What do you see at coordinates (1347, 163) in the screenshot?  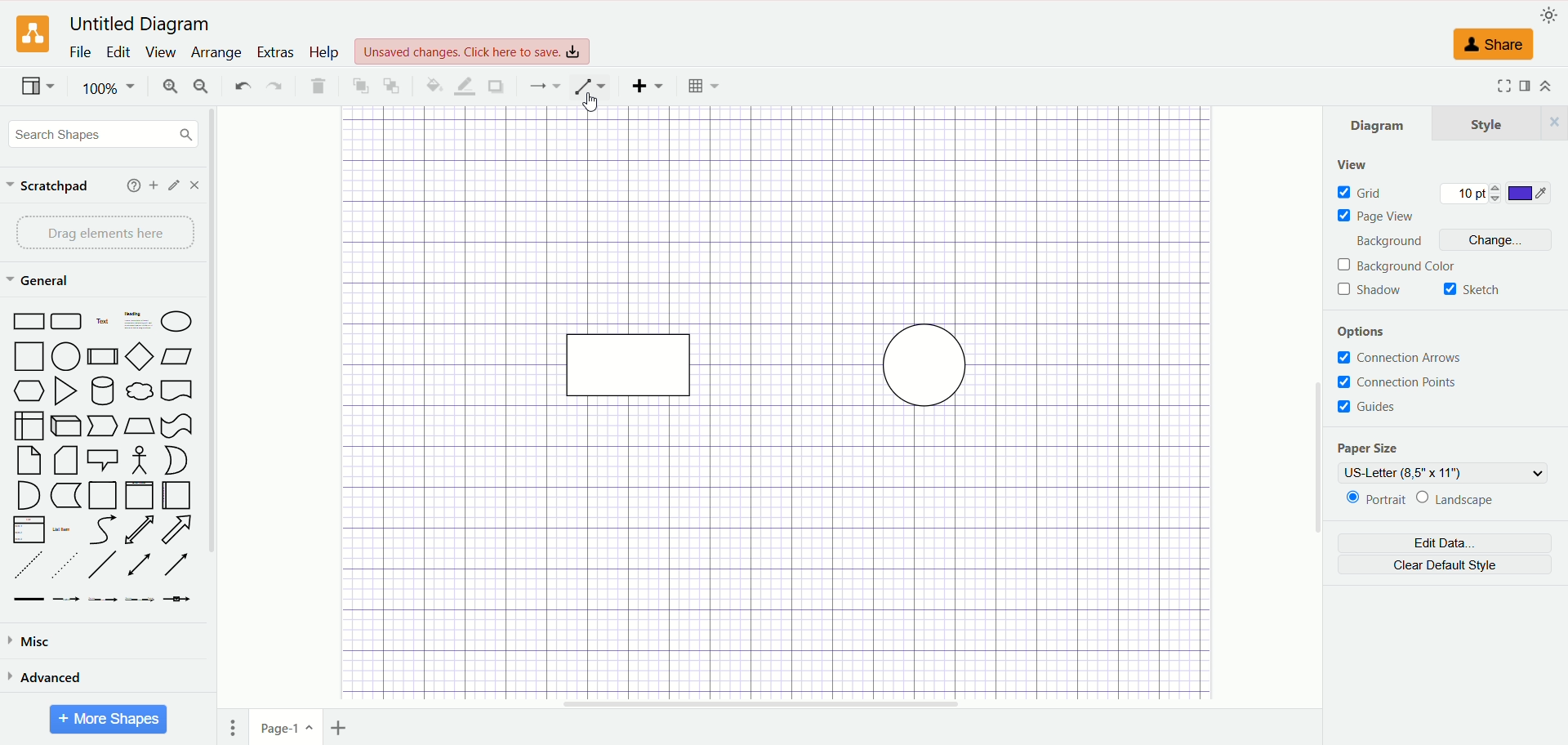 I see `view` at bounding box center [1347, 163].